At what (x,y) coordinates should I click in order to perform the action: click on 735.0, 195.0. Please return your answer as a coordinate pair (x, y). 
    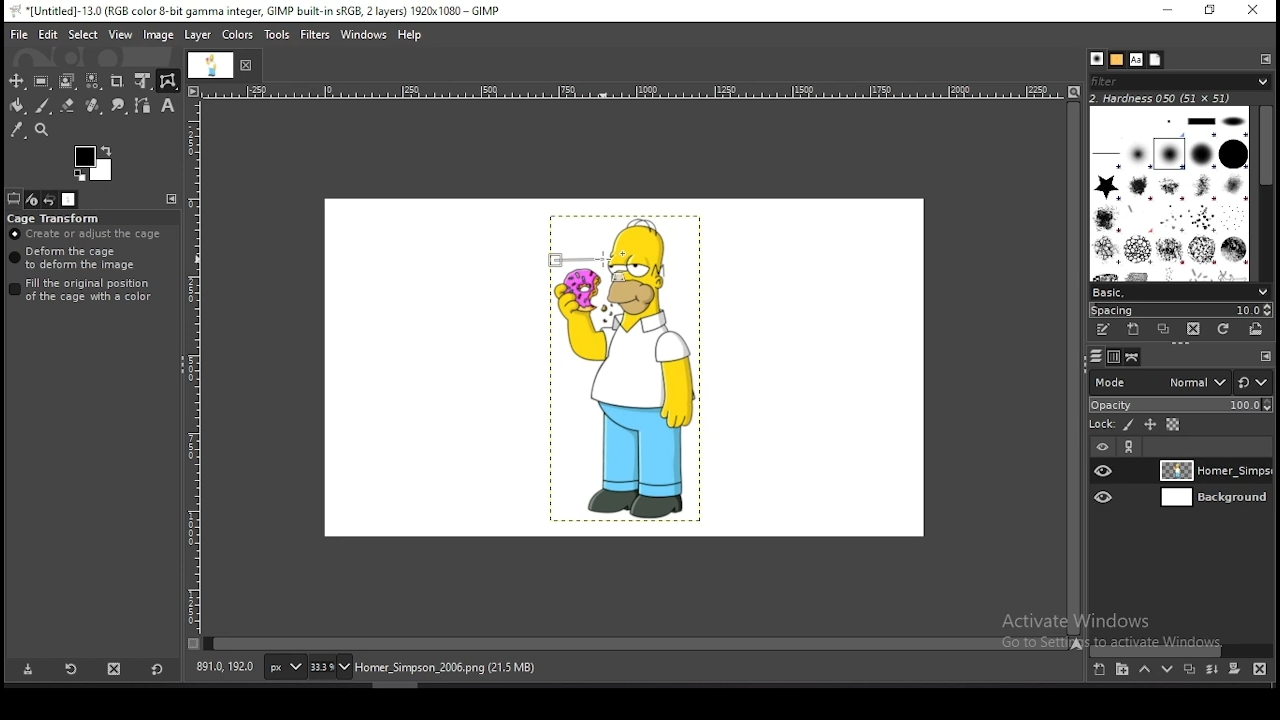
    Looking at the image, I should click on (225, 665).